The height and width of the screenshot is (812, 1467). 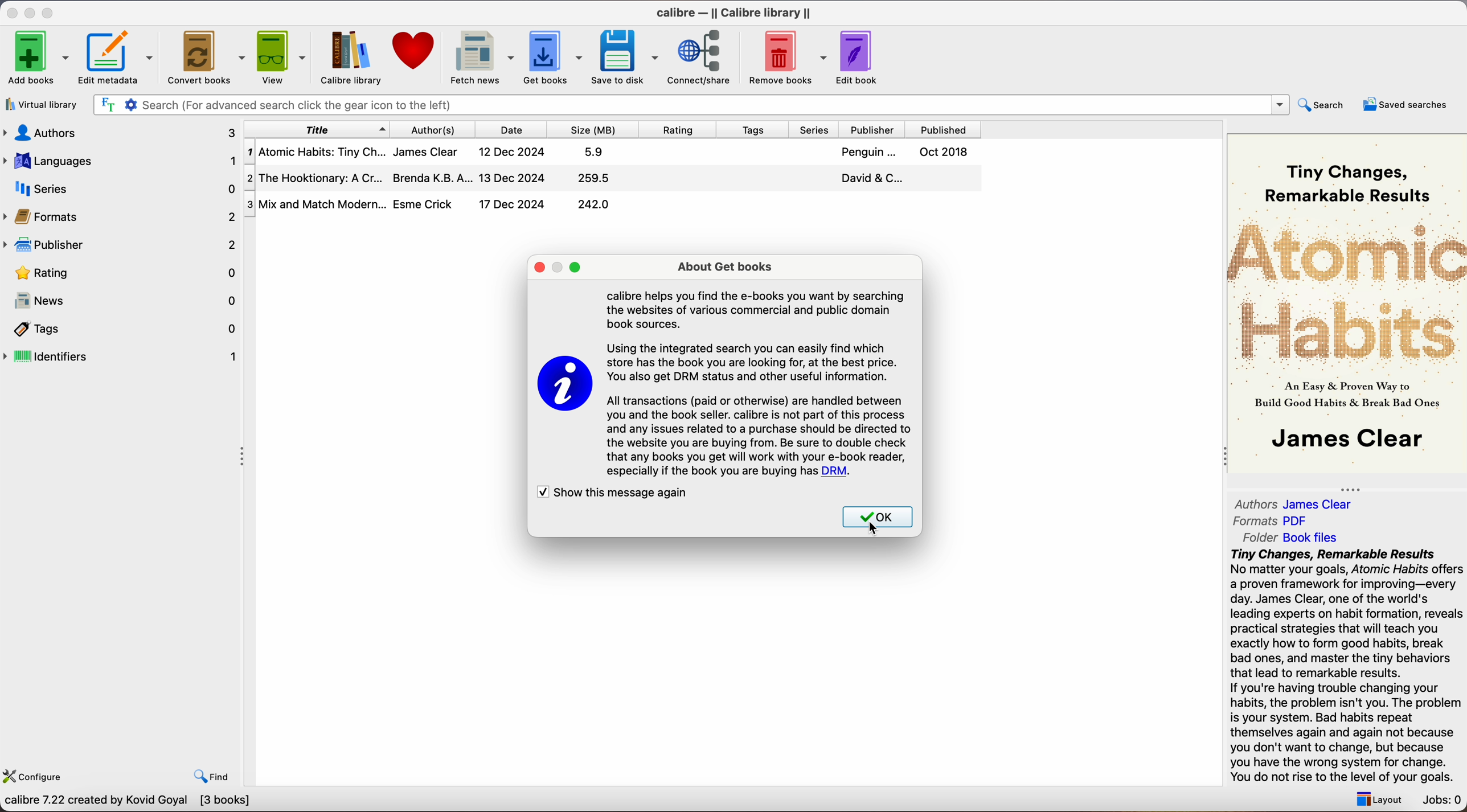 I want to click on authors, so click(x=440, y=129).